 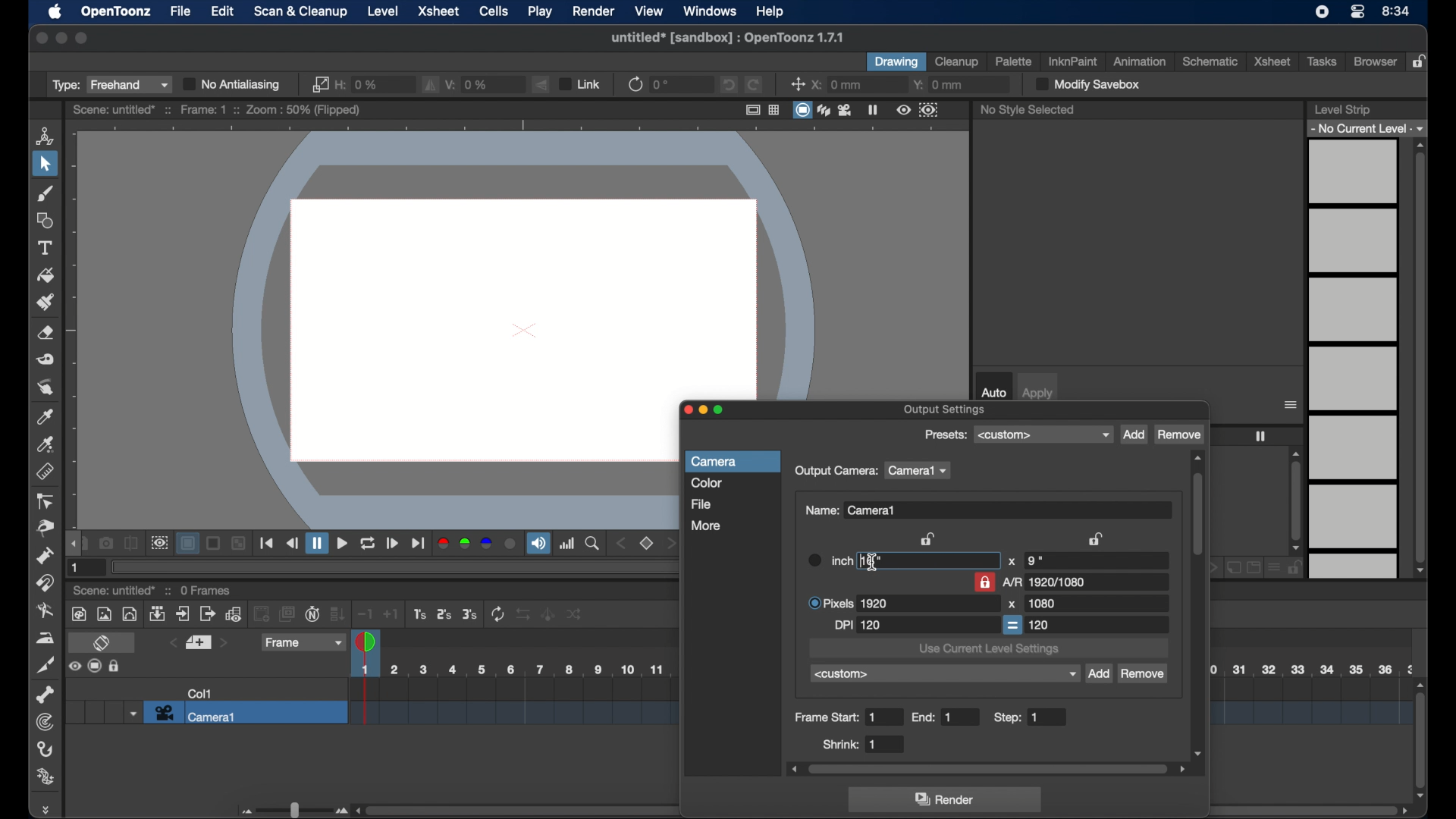 What do you see at coordinates (45, 638) in the screenshot?
I see `iron tool` at bounding box center [45, 638].